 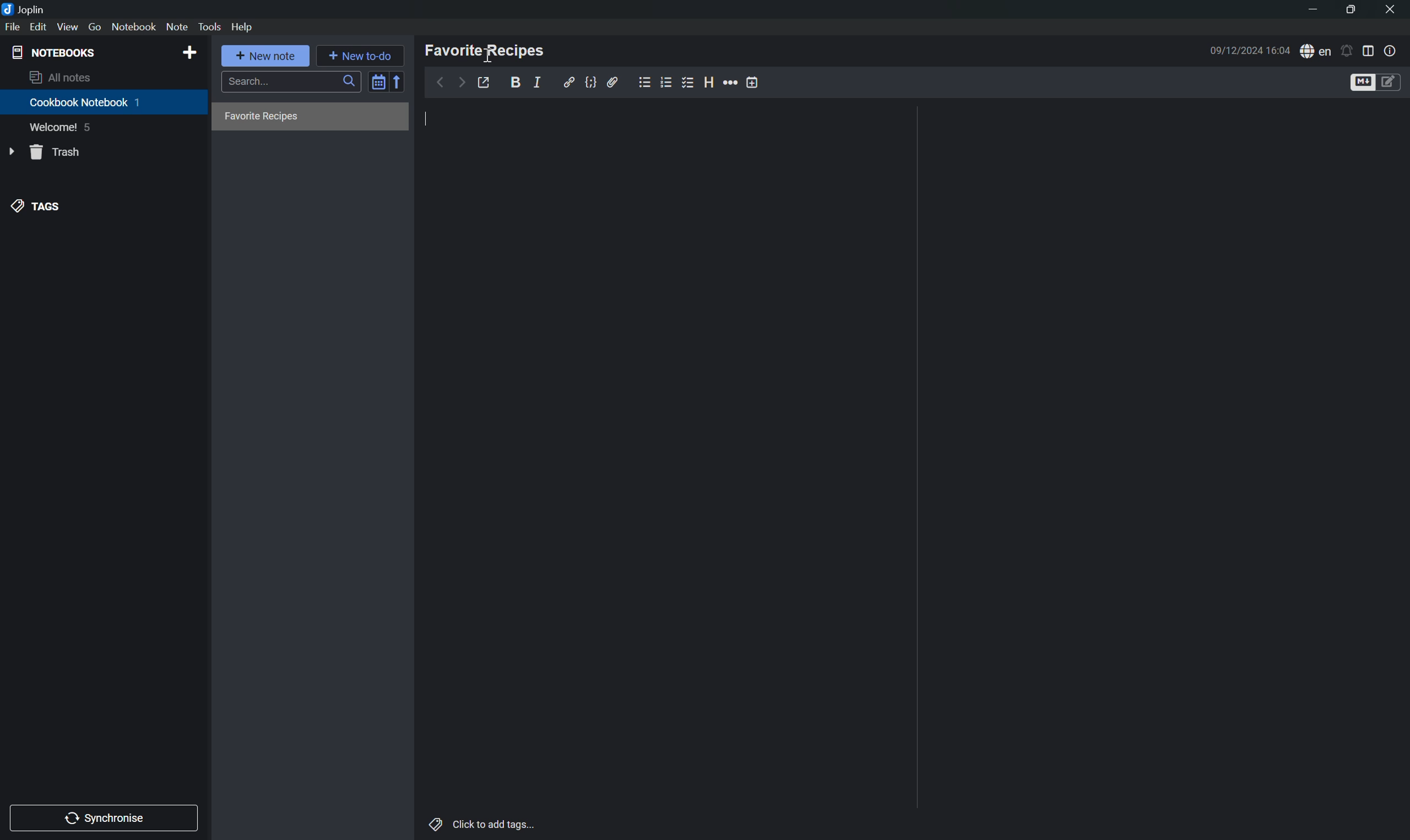 What do you see at coordinates (1377, 82) in the screenshot?
I see `Toggle editors` at bounding box center [1377, 82].